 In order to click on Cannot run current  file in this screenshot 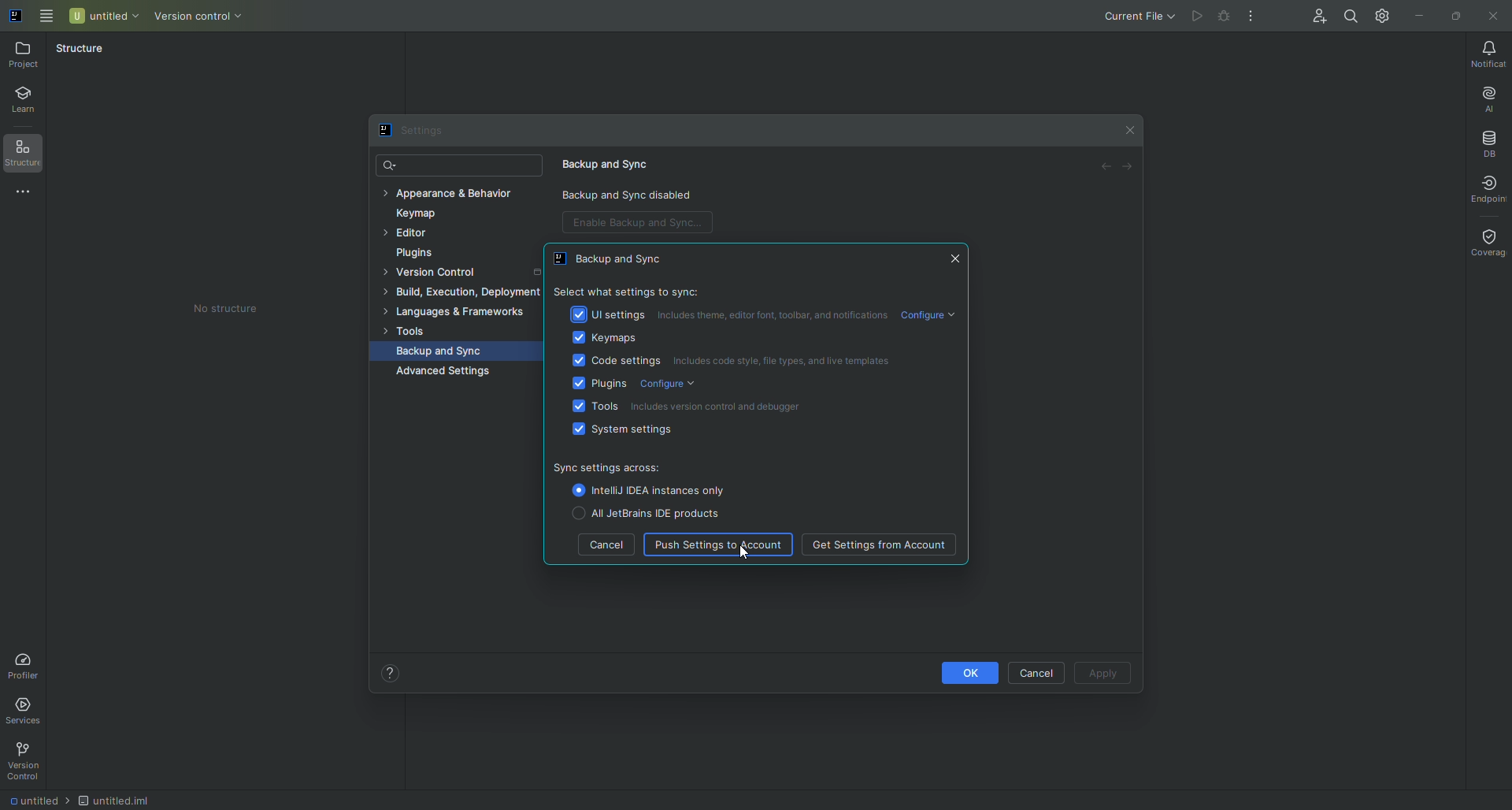, I will do `click(1226, 19)`.